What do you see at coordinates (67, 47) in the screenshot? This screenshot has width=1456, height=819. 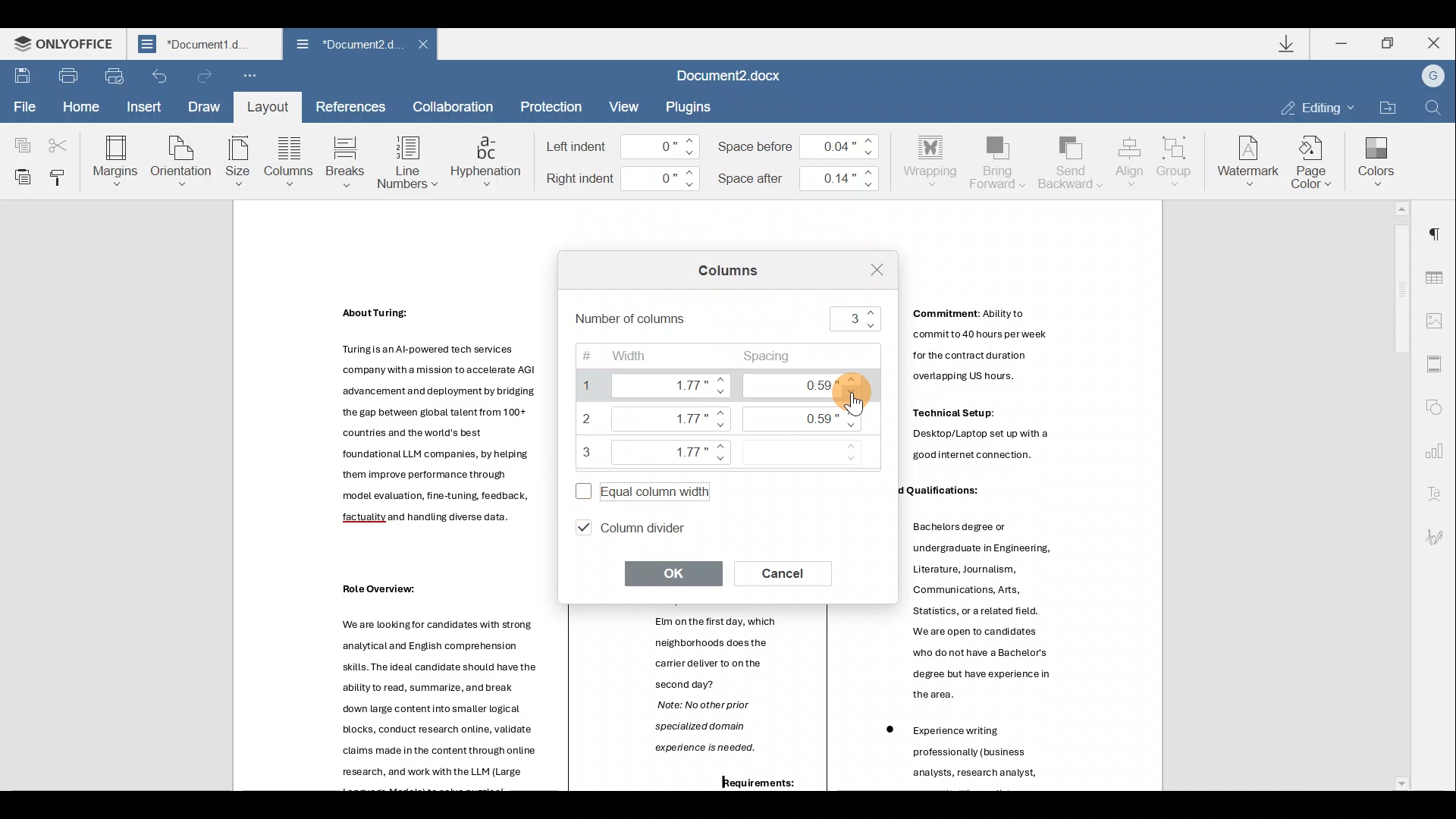 I see `ONLYOFFICE` at bounding box center [67, 47].